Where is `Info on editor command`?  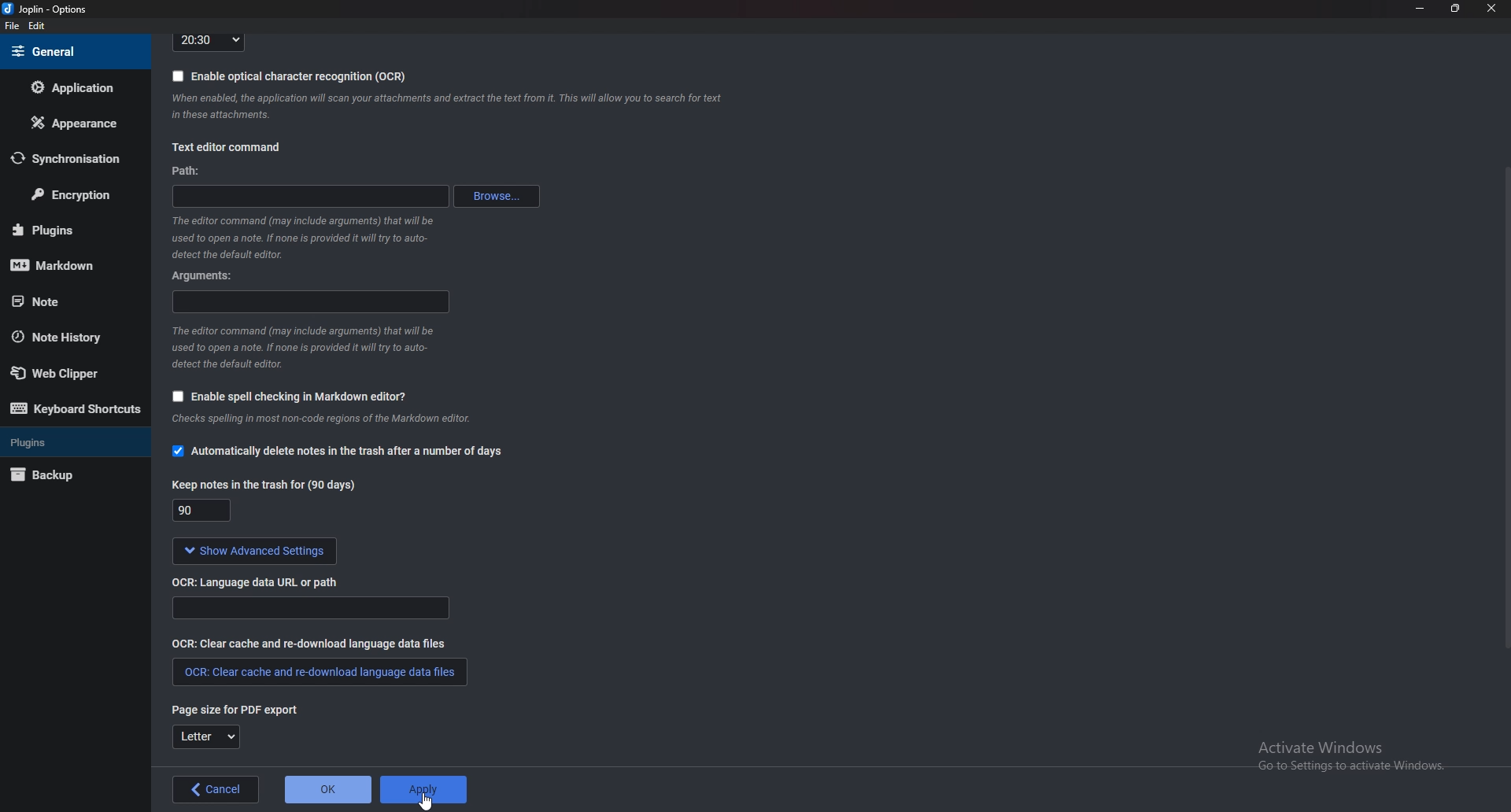 Info on editor command is located at coordinates (302, 347).